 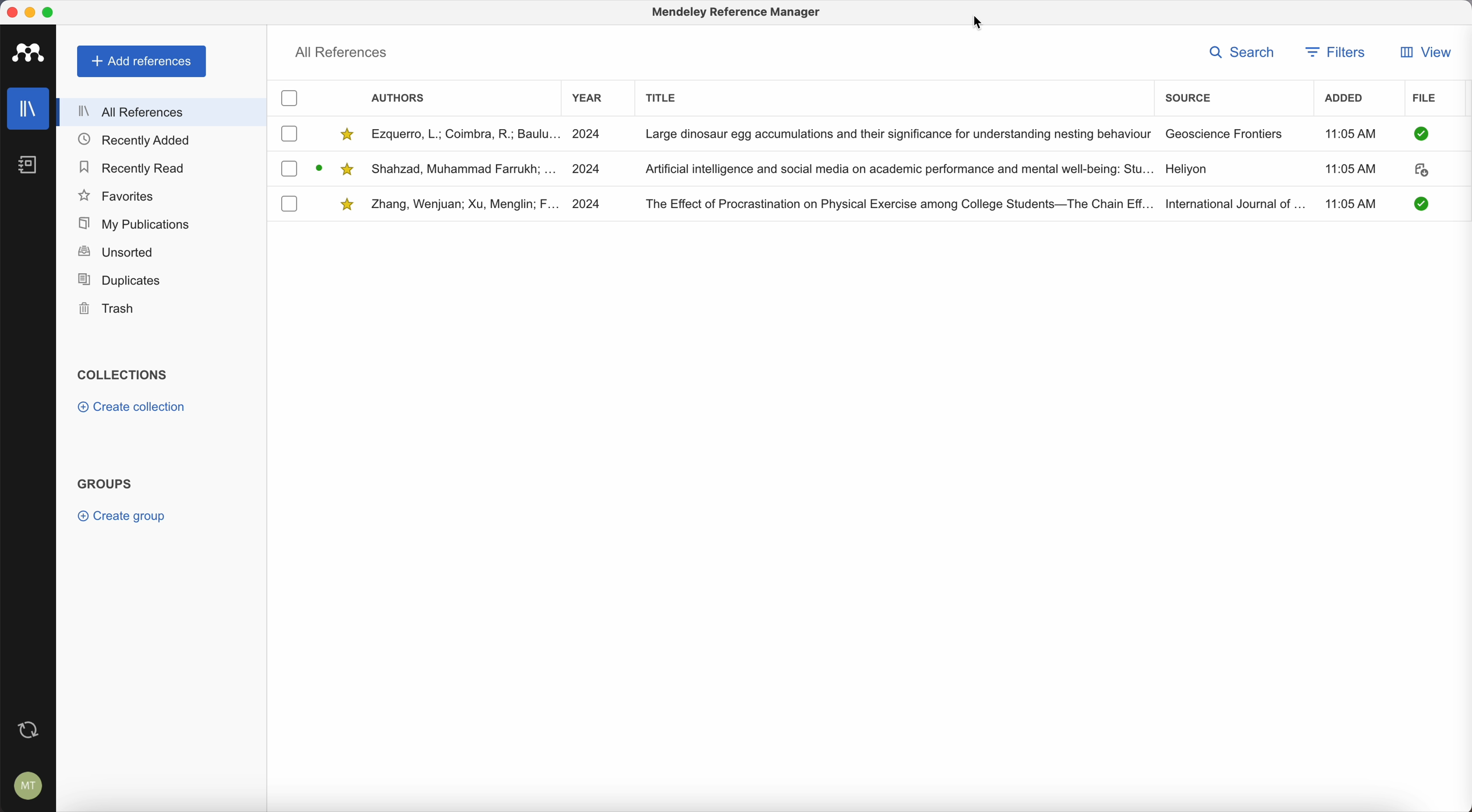 What do you see at coordinates (108, 309) in the screenshot?
I see `trash` at bounding box center [108, 309].